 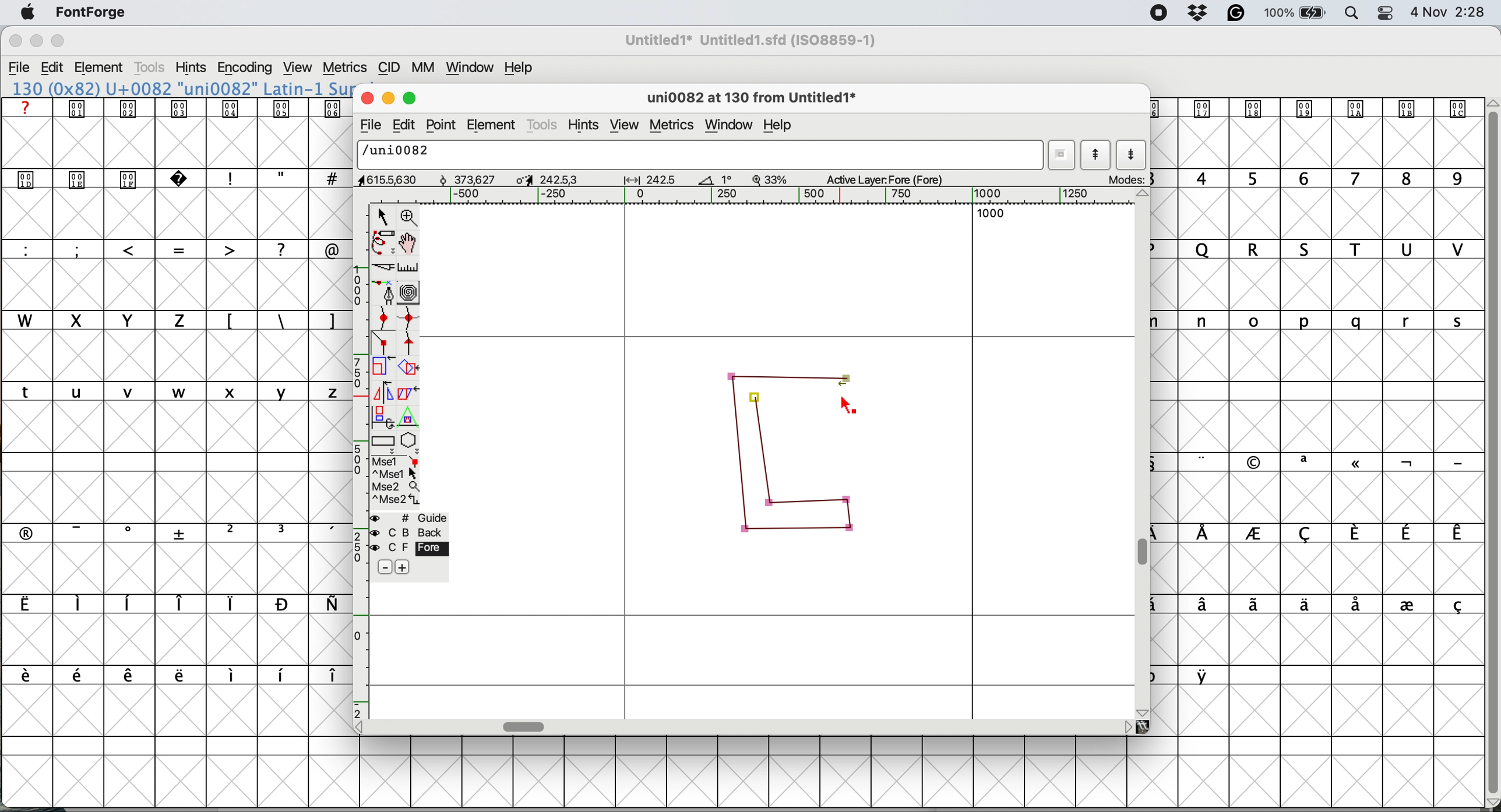 What do you see at coordinates (386, 97) in the screenshot?
I see `minimise` at bounding box center [386, 97].